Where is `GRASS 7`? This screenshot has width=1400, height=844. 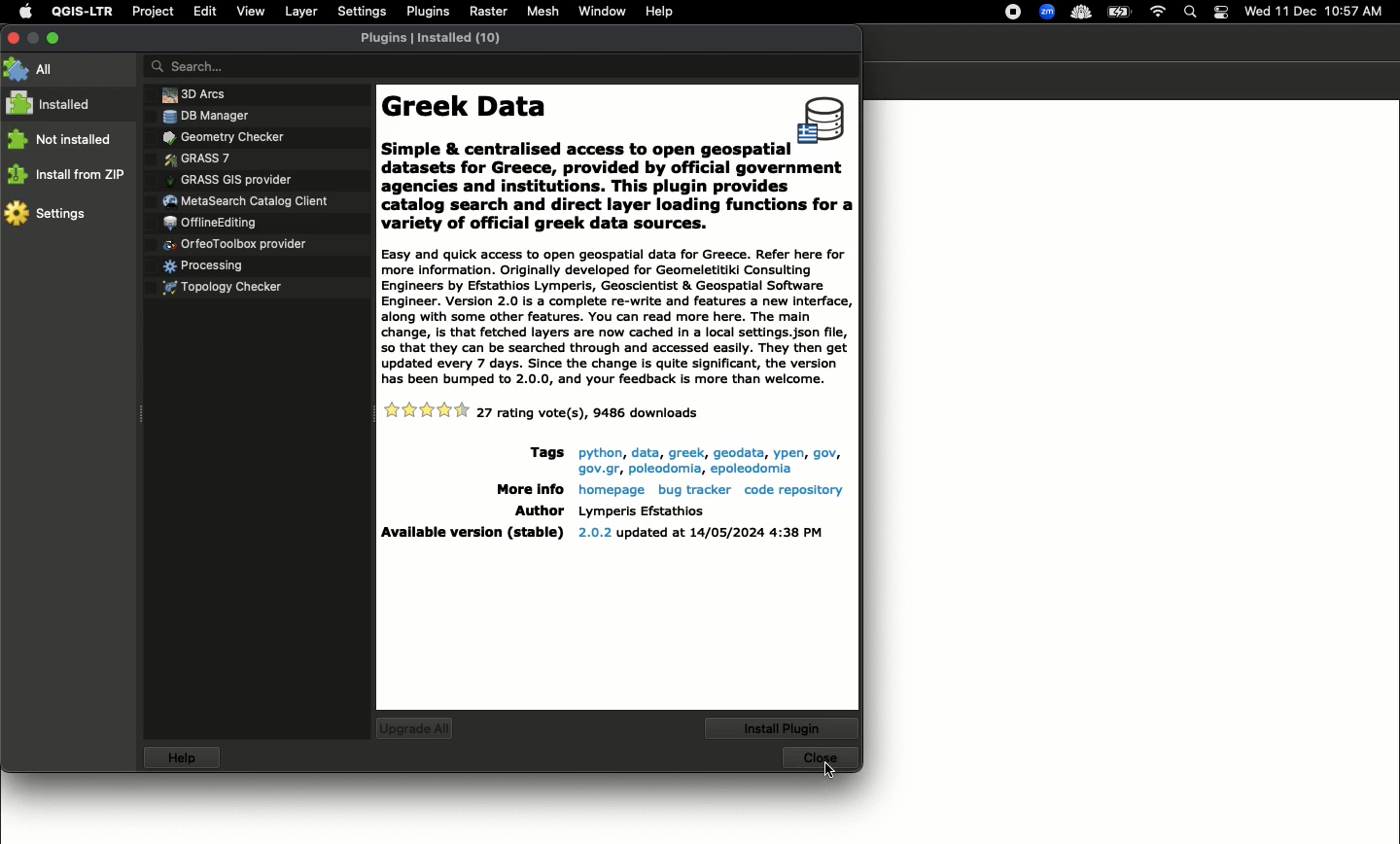
GRASS 7 is located at coordinates (196, 159).